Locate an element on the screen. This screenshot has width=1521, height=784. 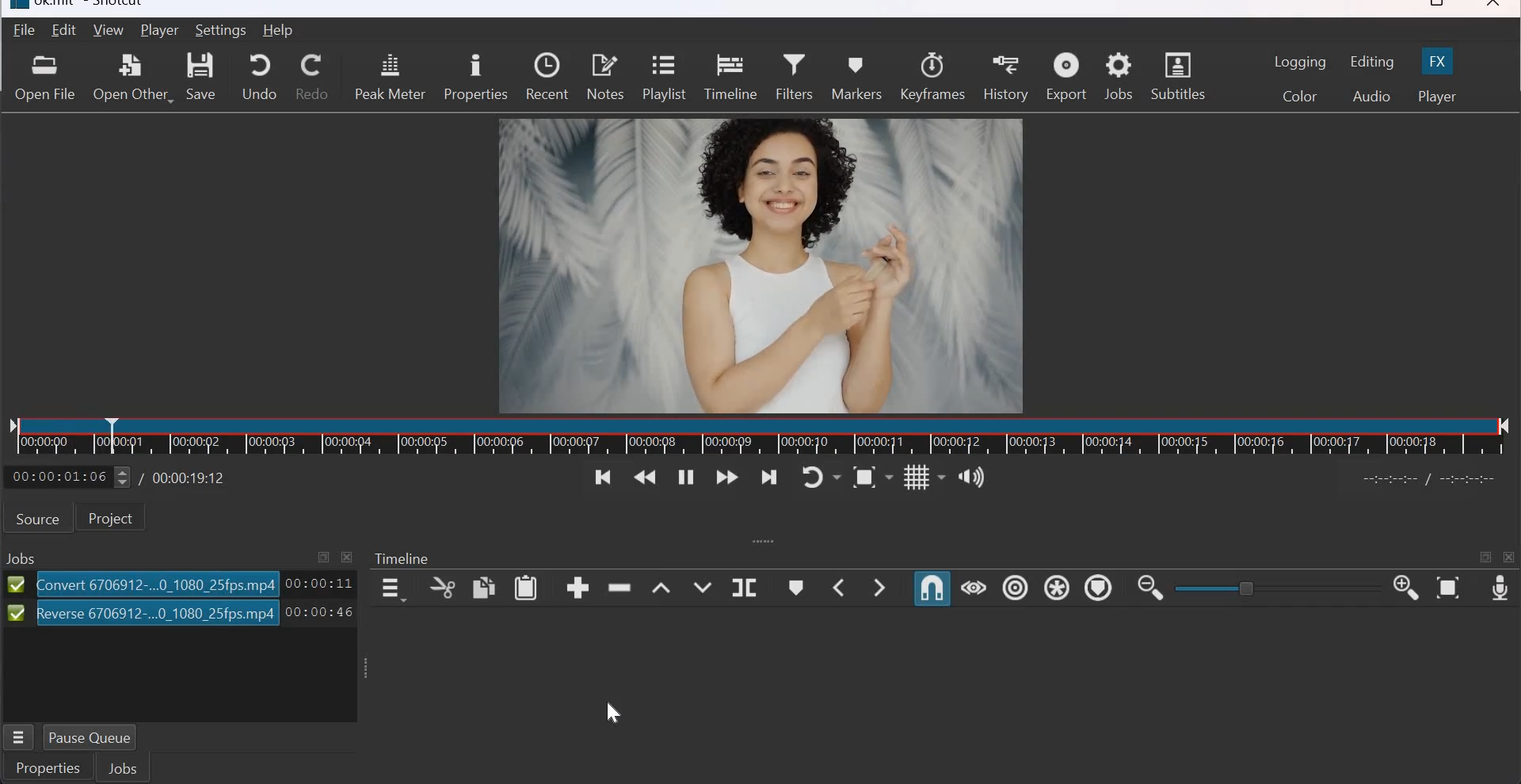
Edit is located at coordinates (66, 29).